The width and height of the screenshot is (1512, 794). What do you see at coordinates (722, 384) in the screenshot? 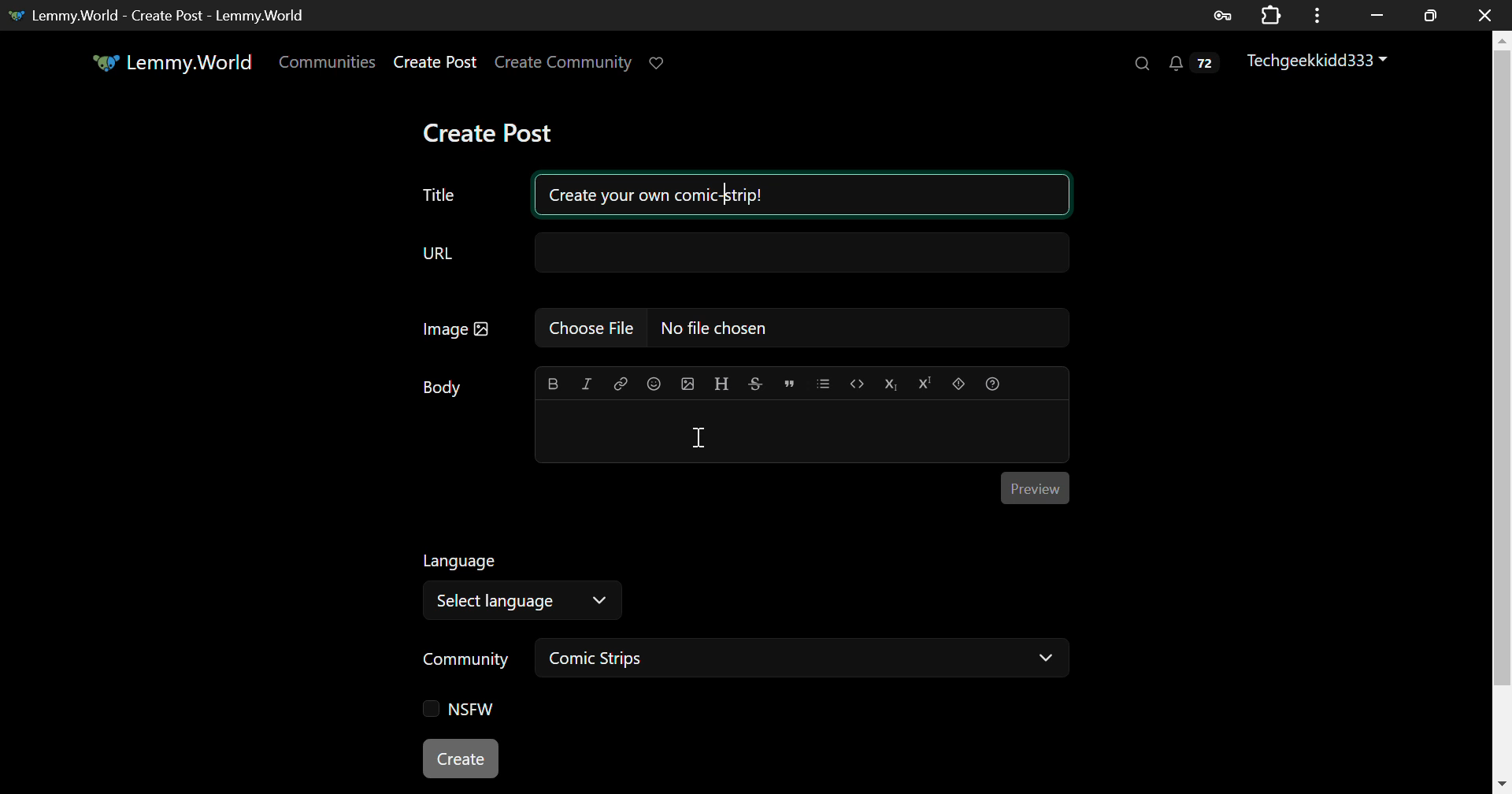
I see `Header` at bounding box center [722, 384].